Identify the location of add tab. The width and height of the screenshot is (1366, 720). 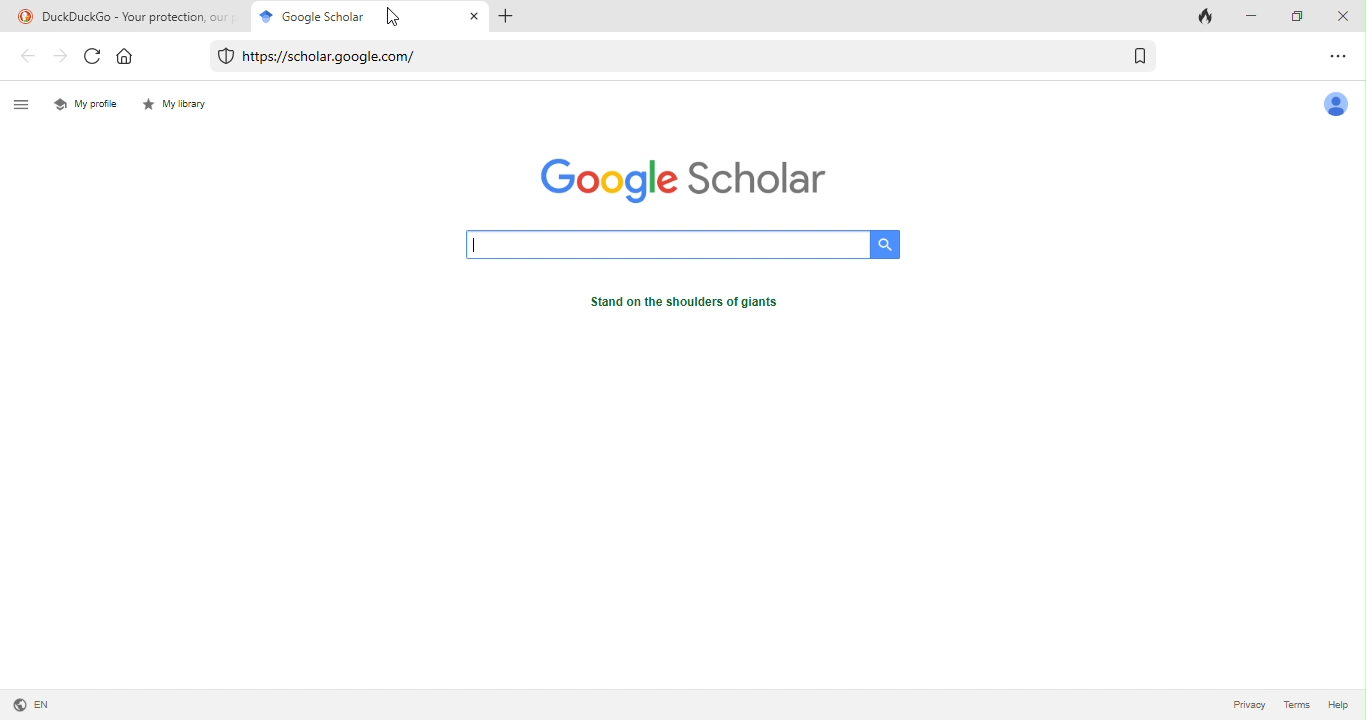
(508, 18).